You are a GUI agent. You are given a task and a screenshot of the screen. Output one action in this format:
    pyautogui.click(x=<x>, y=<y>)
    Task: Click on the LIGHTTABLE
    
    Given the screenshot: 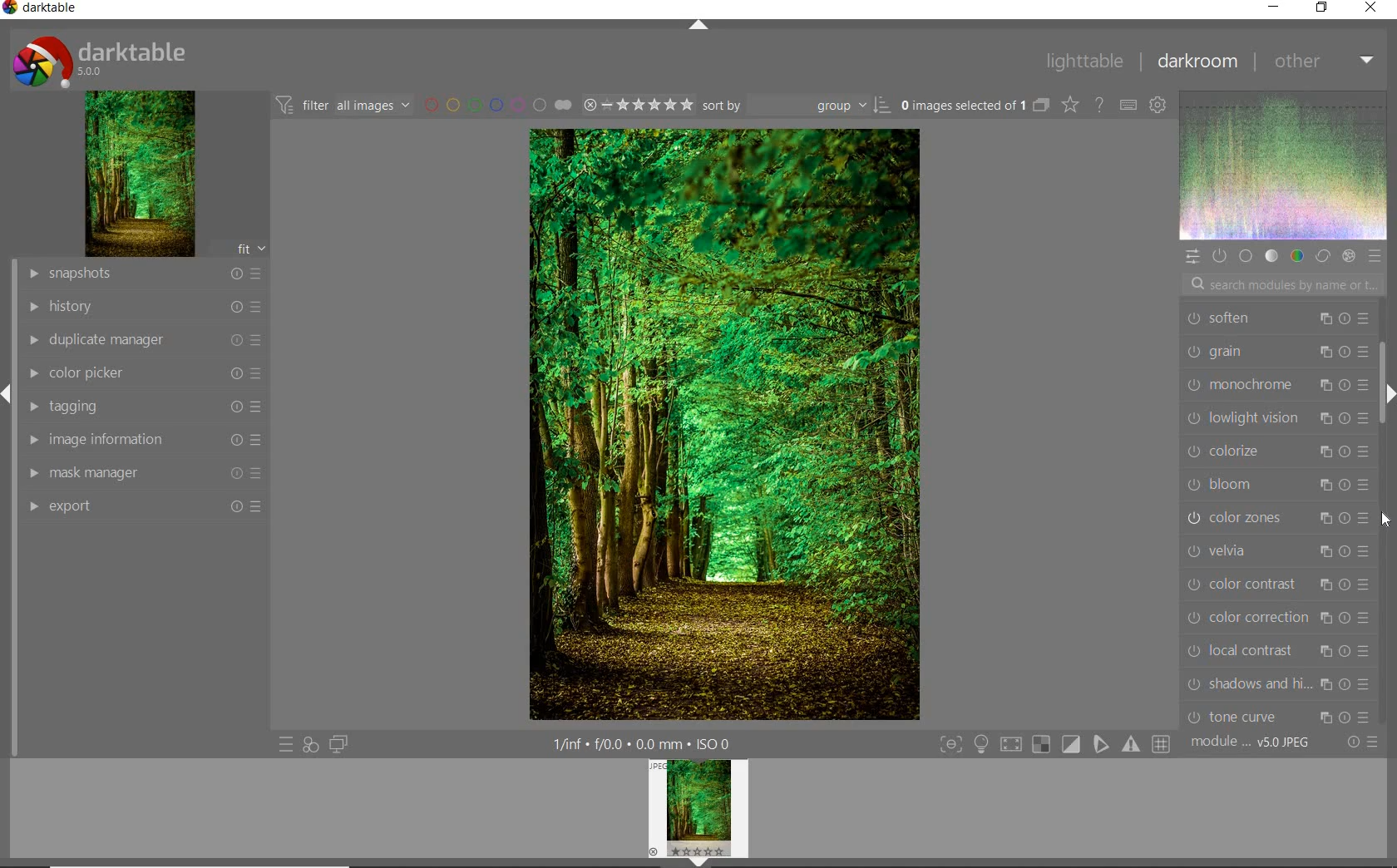 What is the action you would take?
    pyautogui.click(x=1085, y=62)
    